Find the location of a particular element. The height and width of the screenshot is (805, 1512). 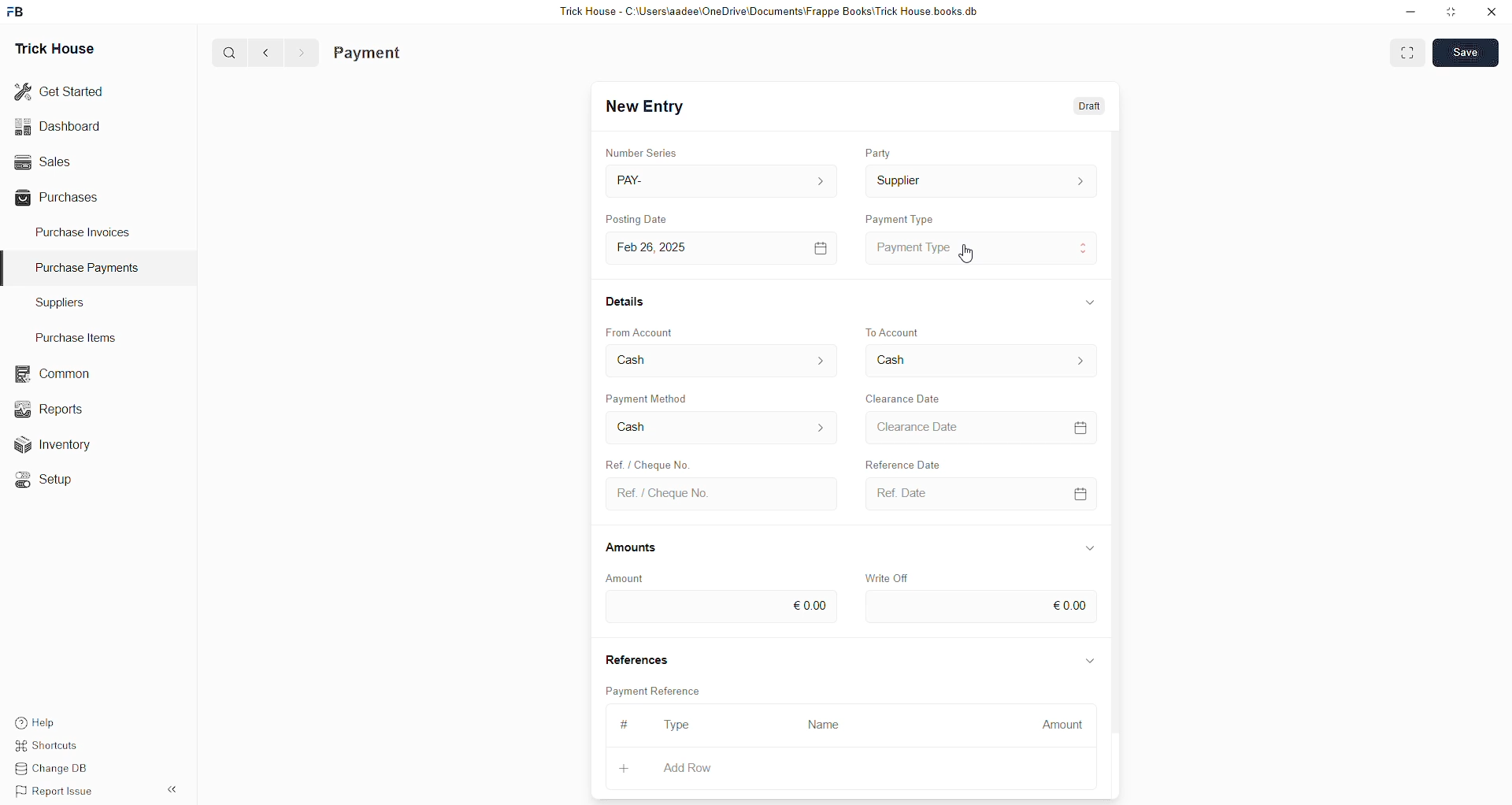

Cash is located at coordinates (719, 429).